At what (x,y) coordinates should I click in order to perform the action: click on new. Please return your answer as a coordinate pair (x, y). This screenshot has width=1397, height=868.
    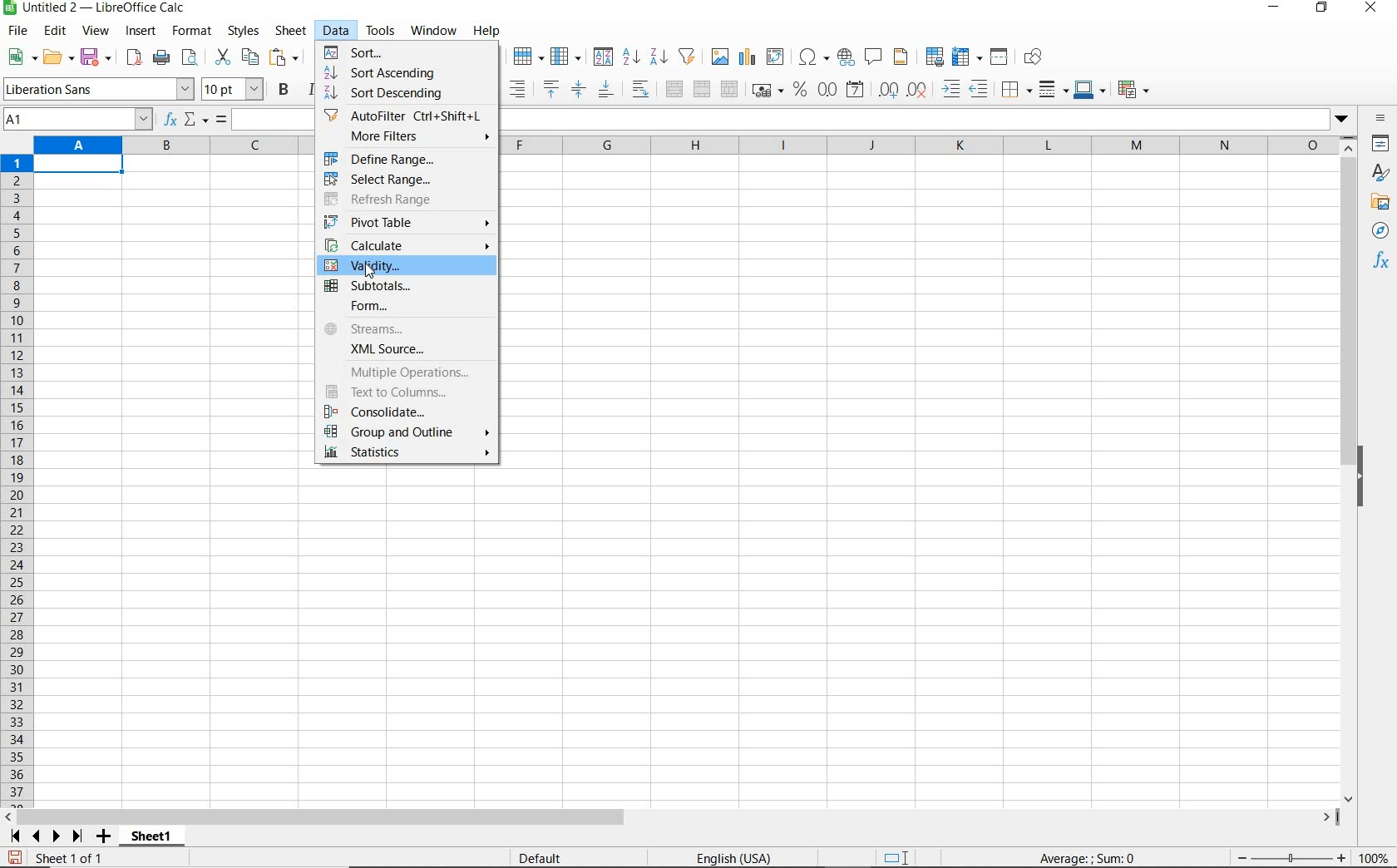
    Looking at the image, I should click on (22, 57).